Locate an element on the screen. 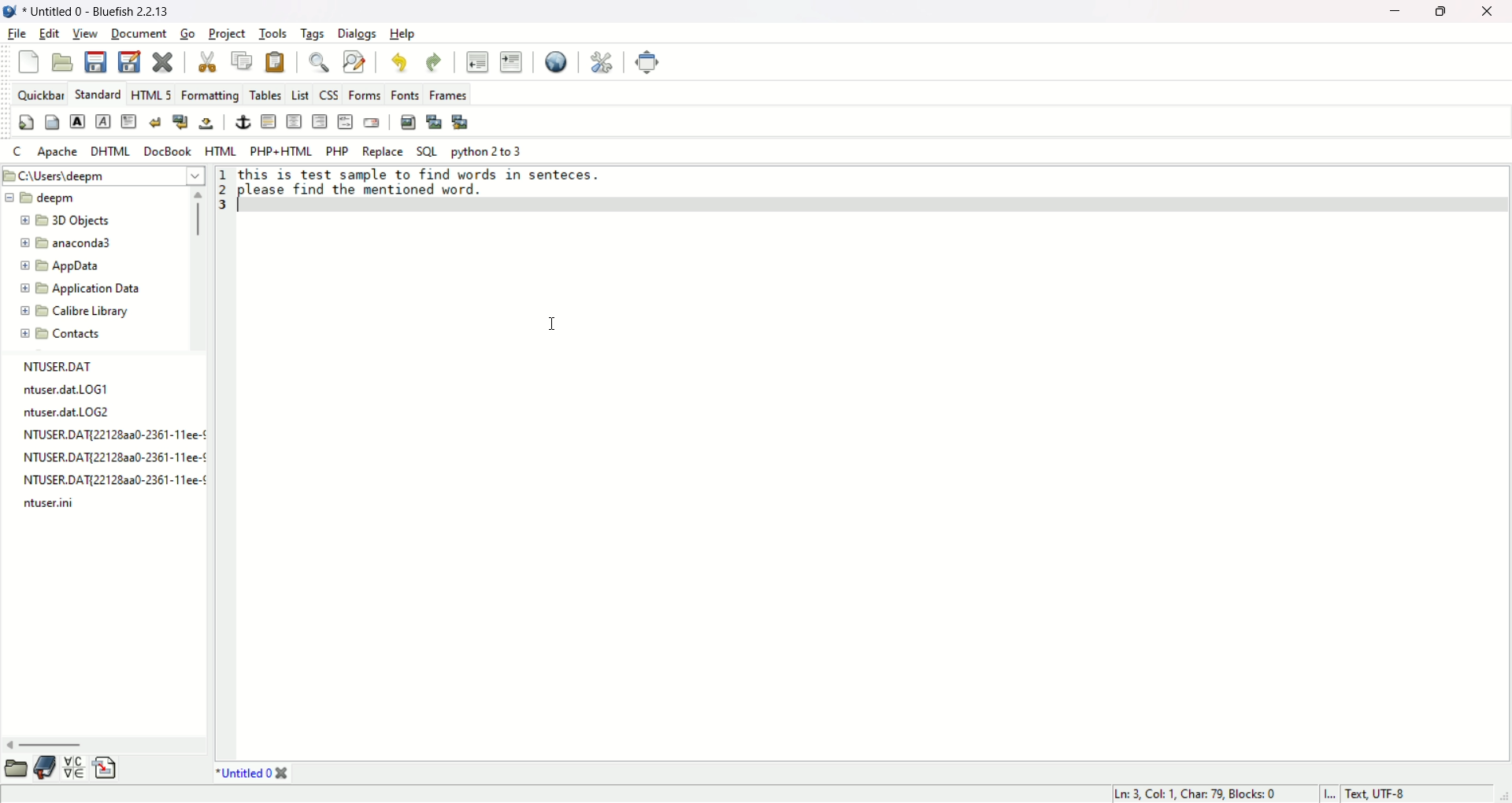 The image size is (1512, 803). anaconda3 is located at coordinates (70, 242).